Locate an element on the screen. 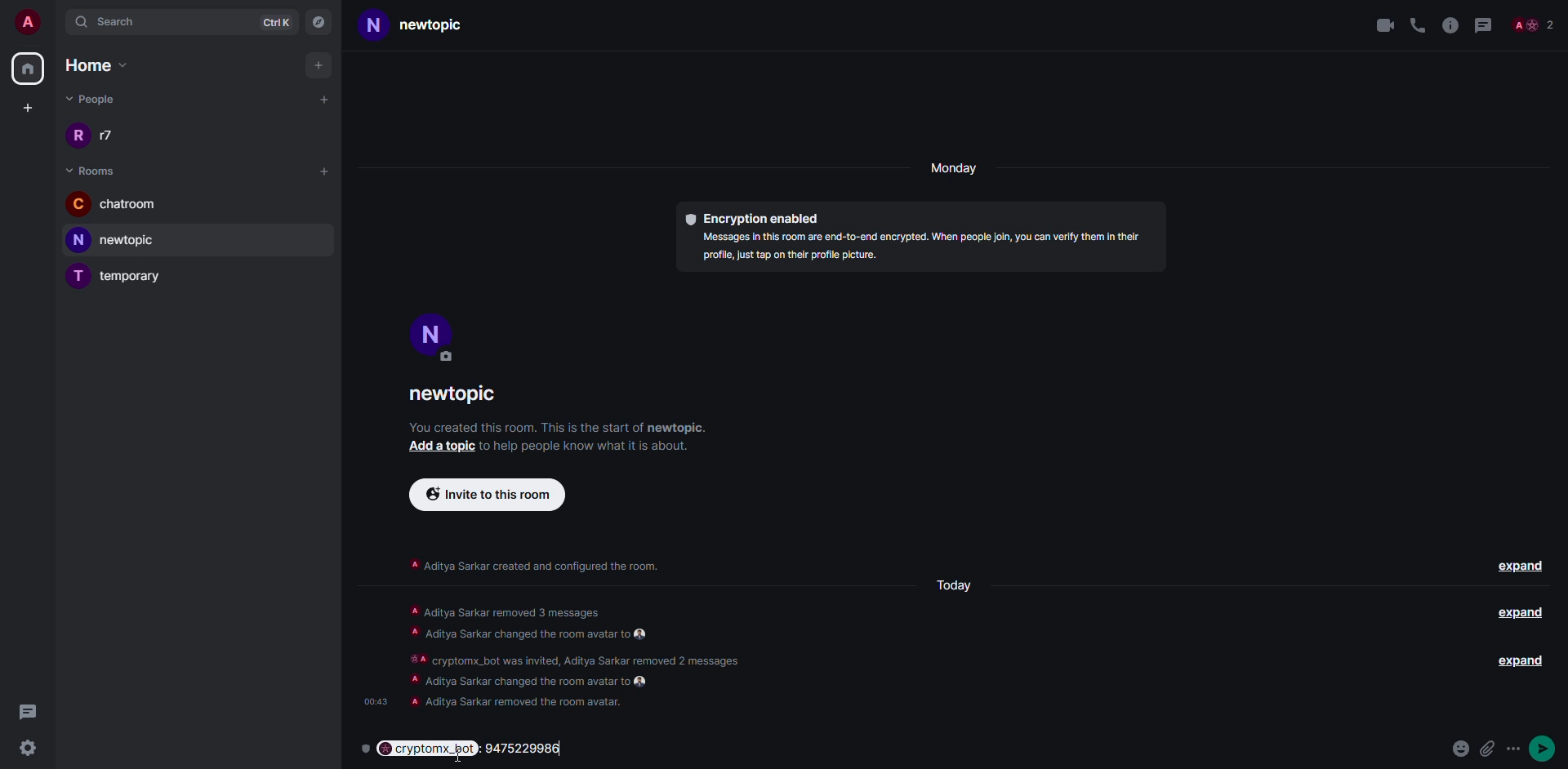 This screenshot has height=769, width=1568. expand is located at coordinates (1511, 661).